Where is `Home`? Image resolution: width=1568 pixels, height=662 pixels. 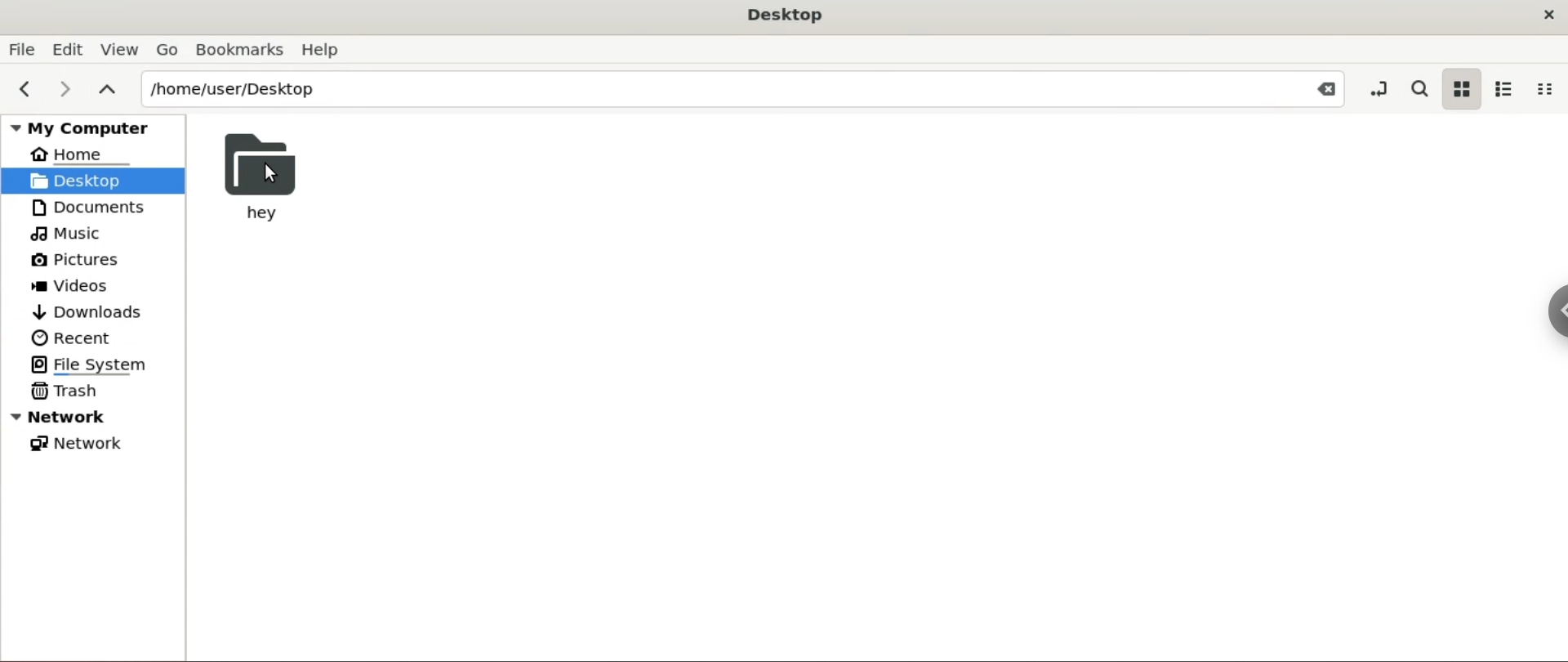 Home is located at coordinates (76, 157).